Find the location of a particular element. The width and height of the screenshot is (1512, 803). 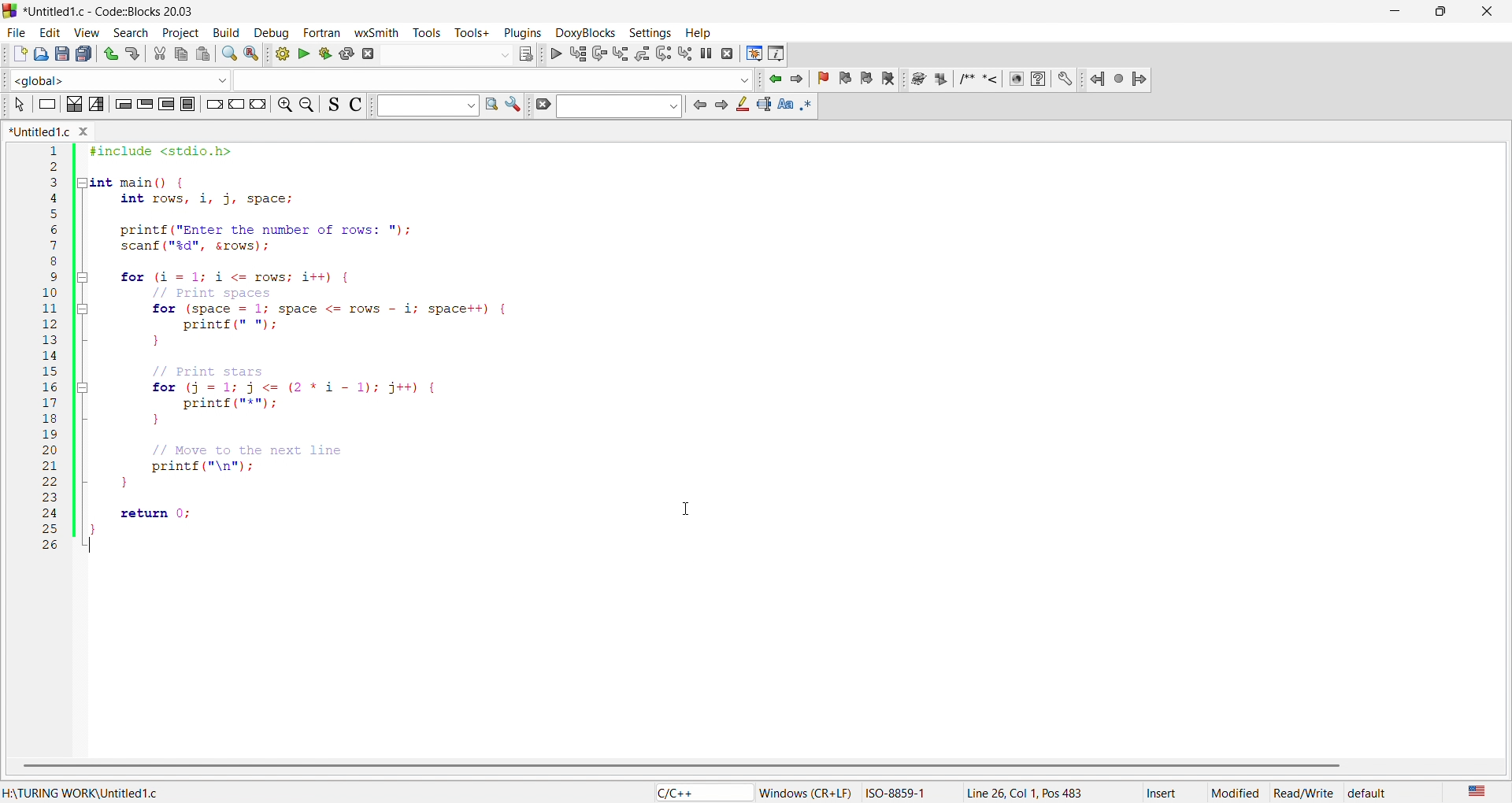

open file is located at coordinates (41, 54).